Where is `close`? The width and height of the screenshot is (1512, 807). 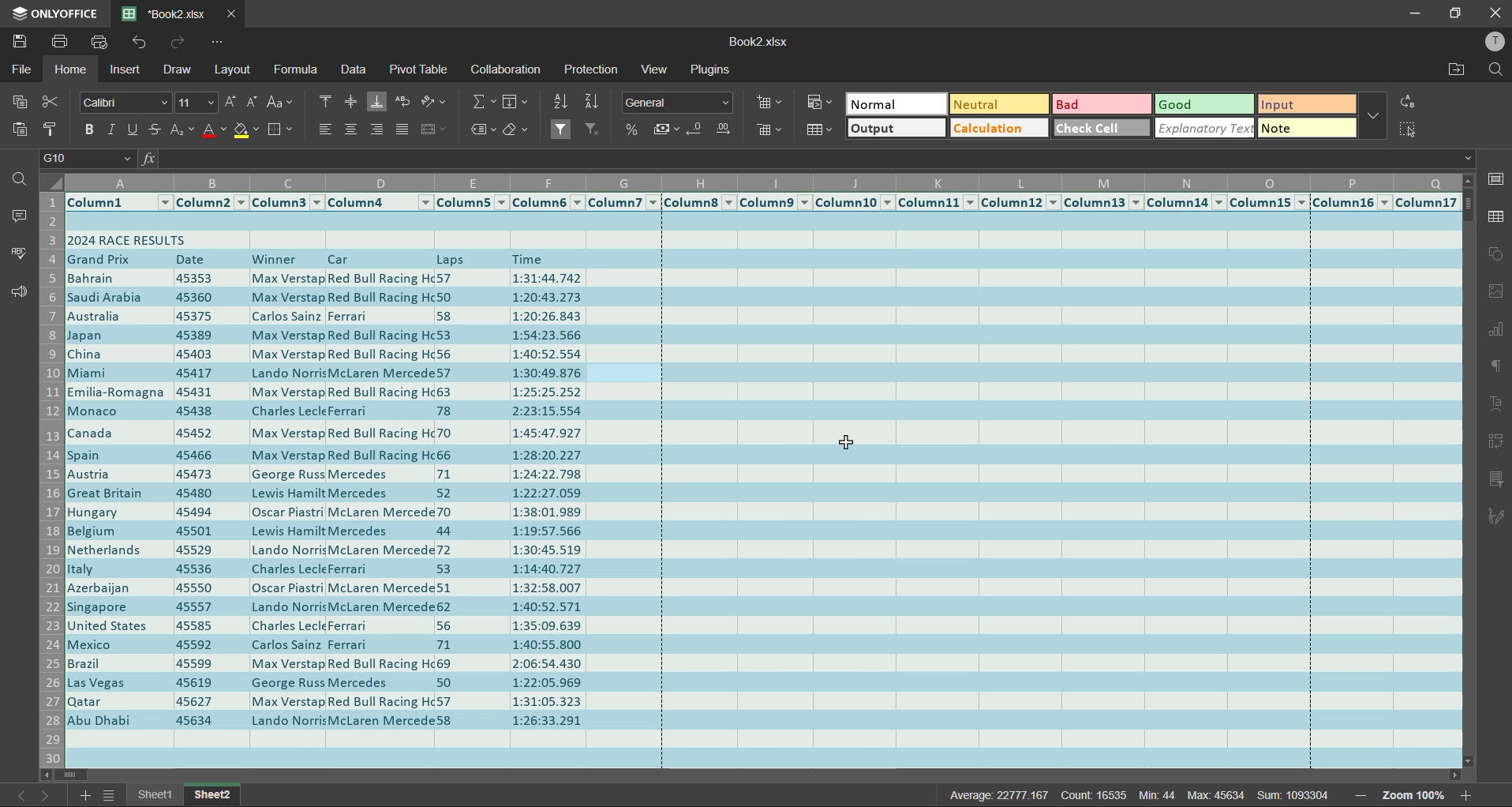
close is located at coordinates (1495, 13).